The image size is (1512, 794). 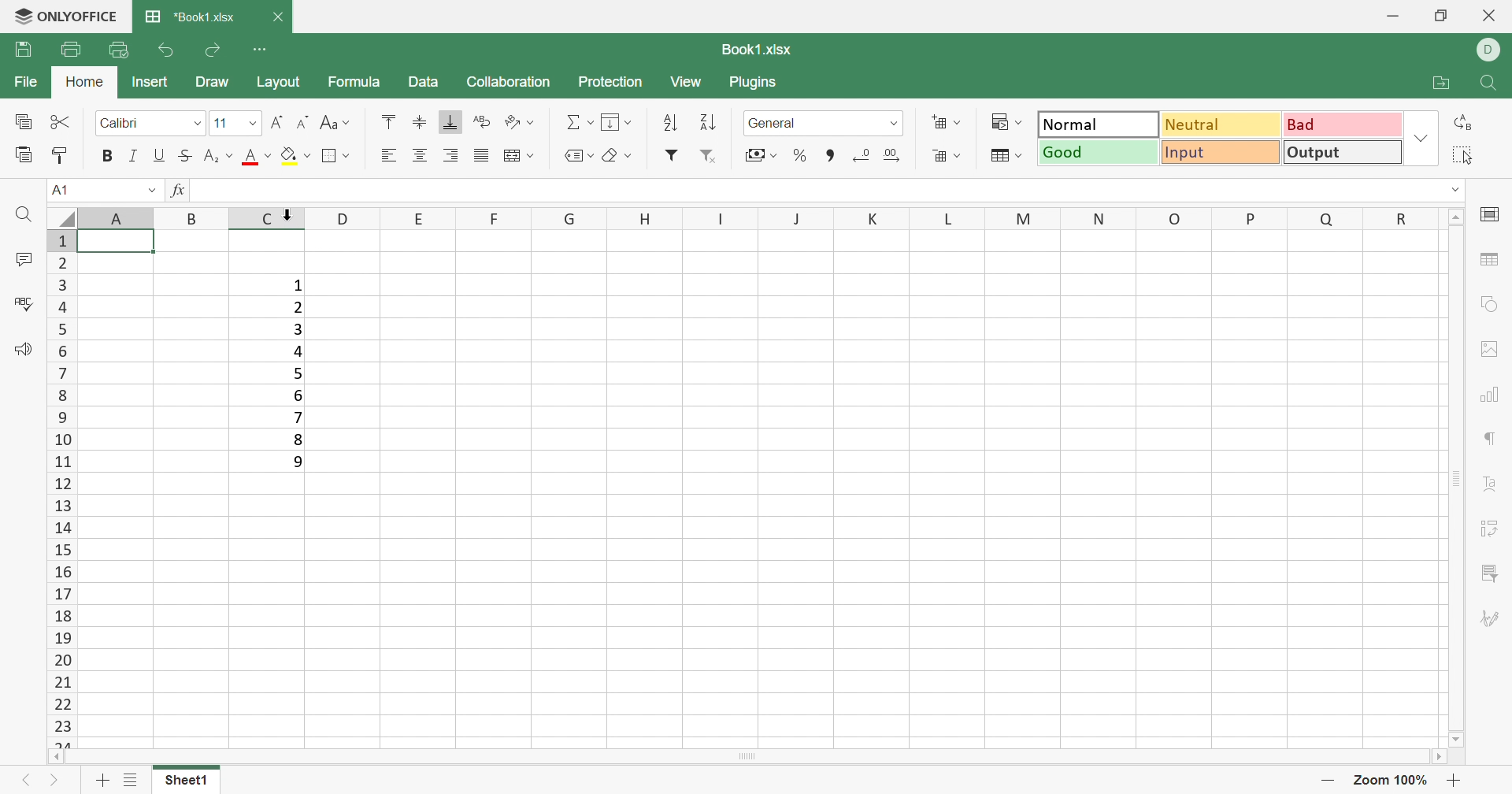 What do you see at coordinates (280, 83) in the screenshot?
I see `Layout` at bounding box center [280, 83].